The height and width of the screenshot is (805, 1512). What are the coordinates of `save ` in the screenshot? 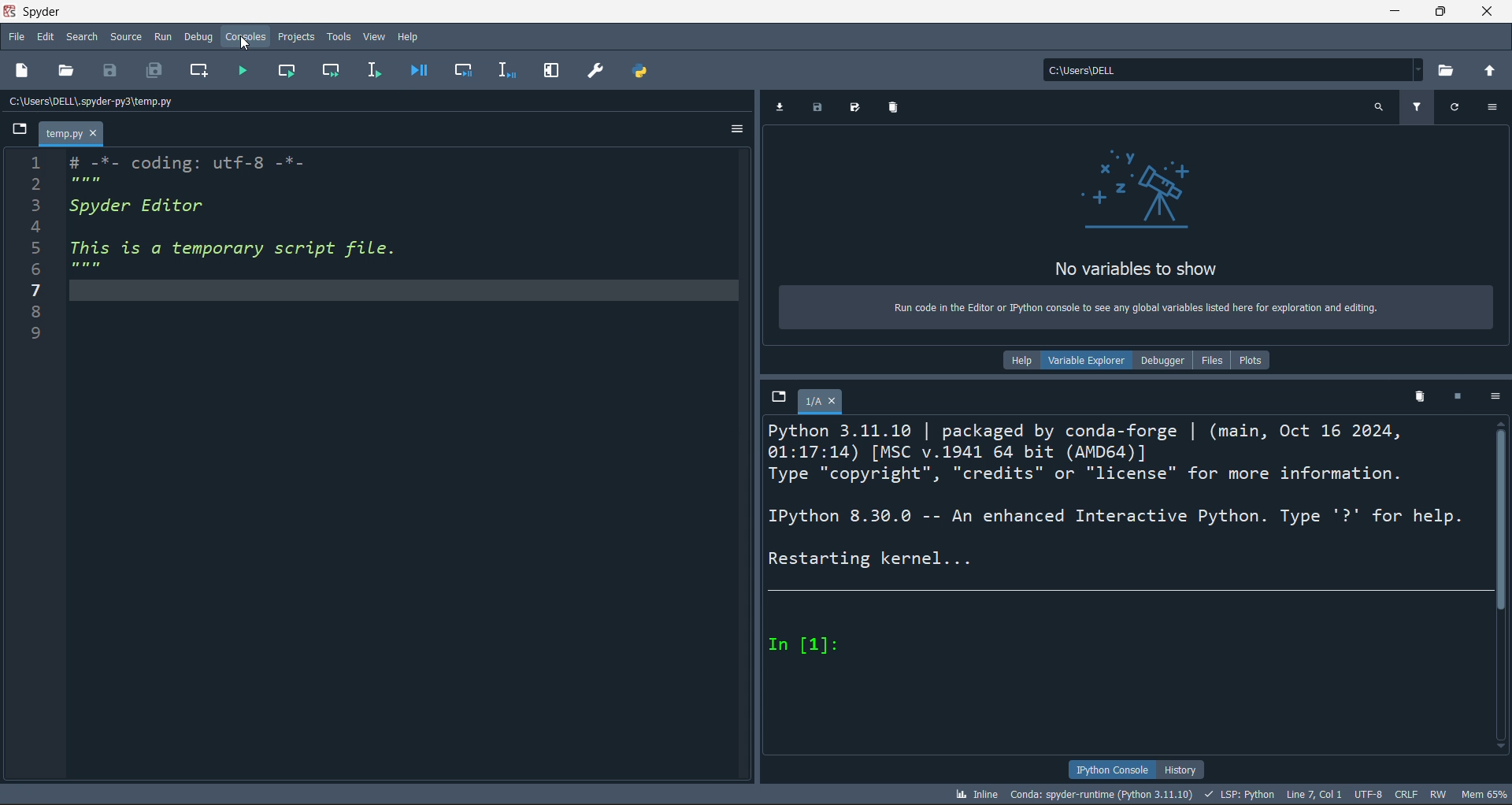 It's located at (818, 109).